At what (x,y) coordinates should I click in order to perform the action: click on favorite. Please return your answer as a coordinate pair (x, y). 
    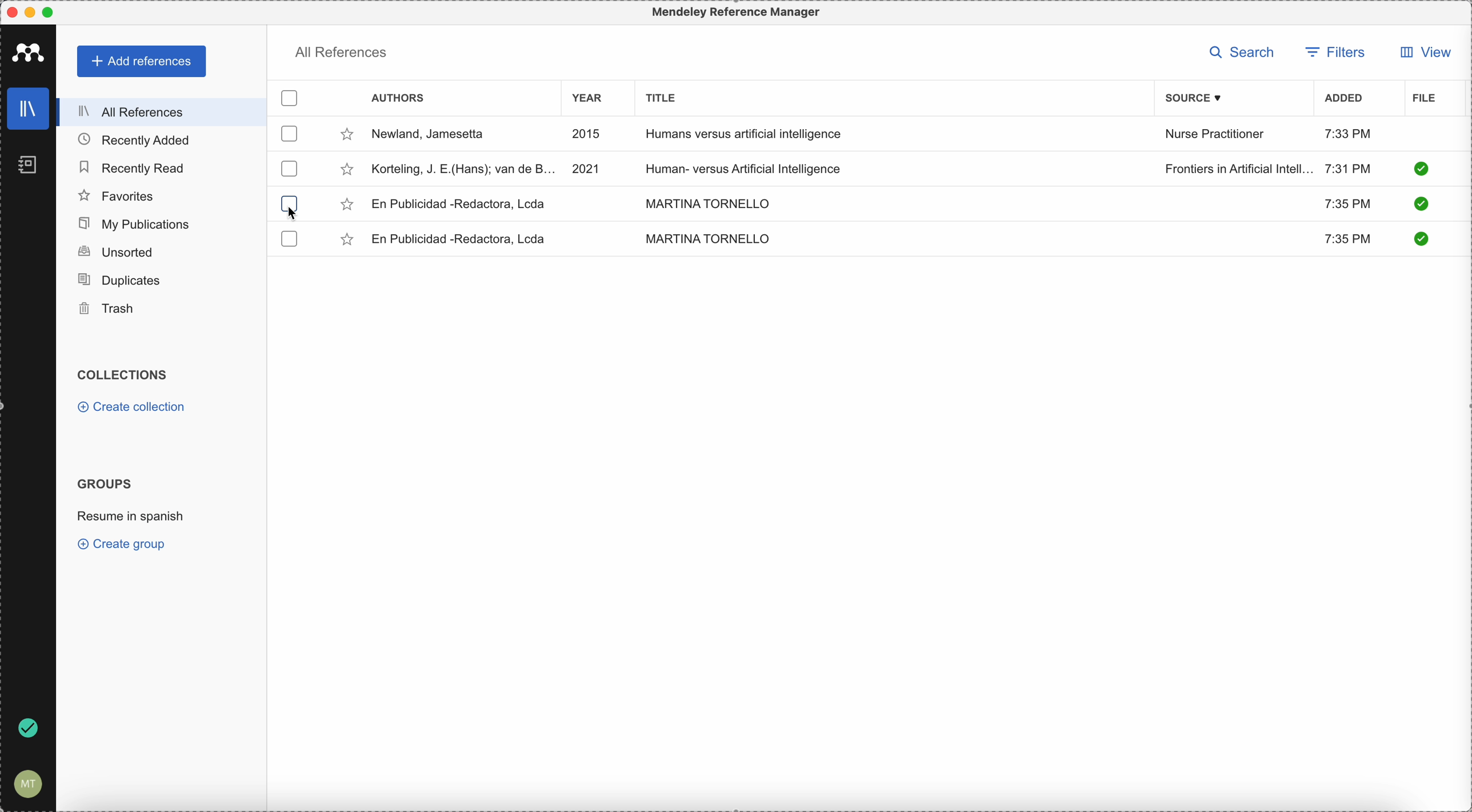
    Looking at the image, I should click on (349, 241).